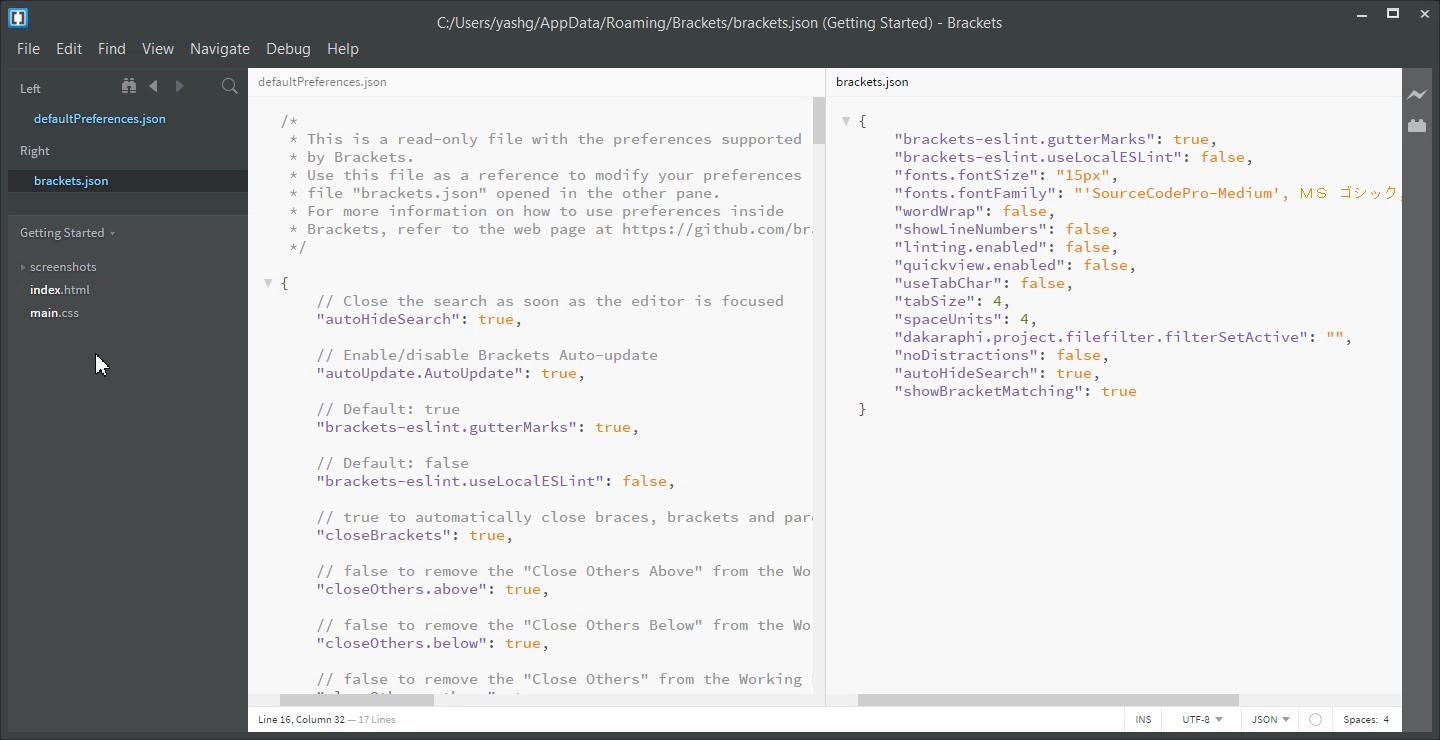 The image size is (1440, 740). Describe the element at coordinates (530, 701) in the screenshot. I see `Horizontal Scroll Bar` at that location.